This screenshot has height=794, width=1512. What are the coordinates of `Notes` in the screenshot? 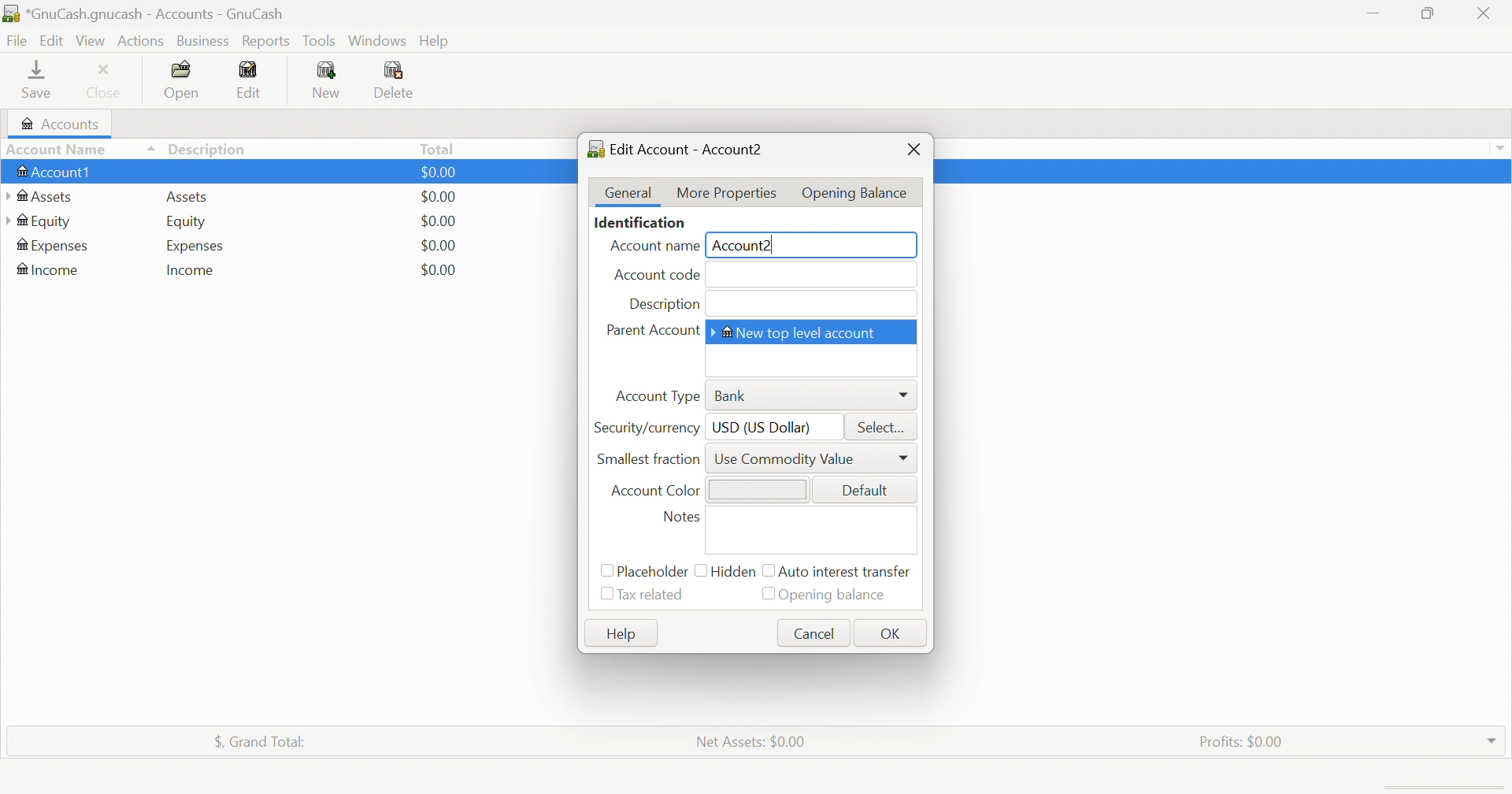 It's located at (680, 518).